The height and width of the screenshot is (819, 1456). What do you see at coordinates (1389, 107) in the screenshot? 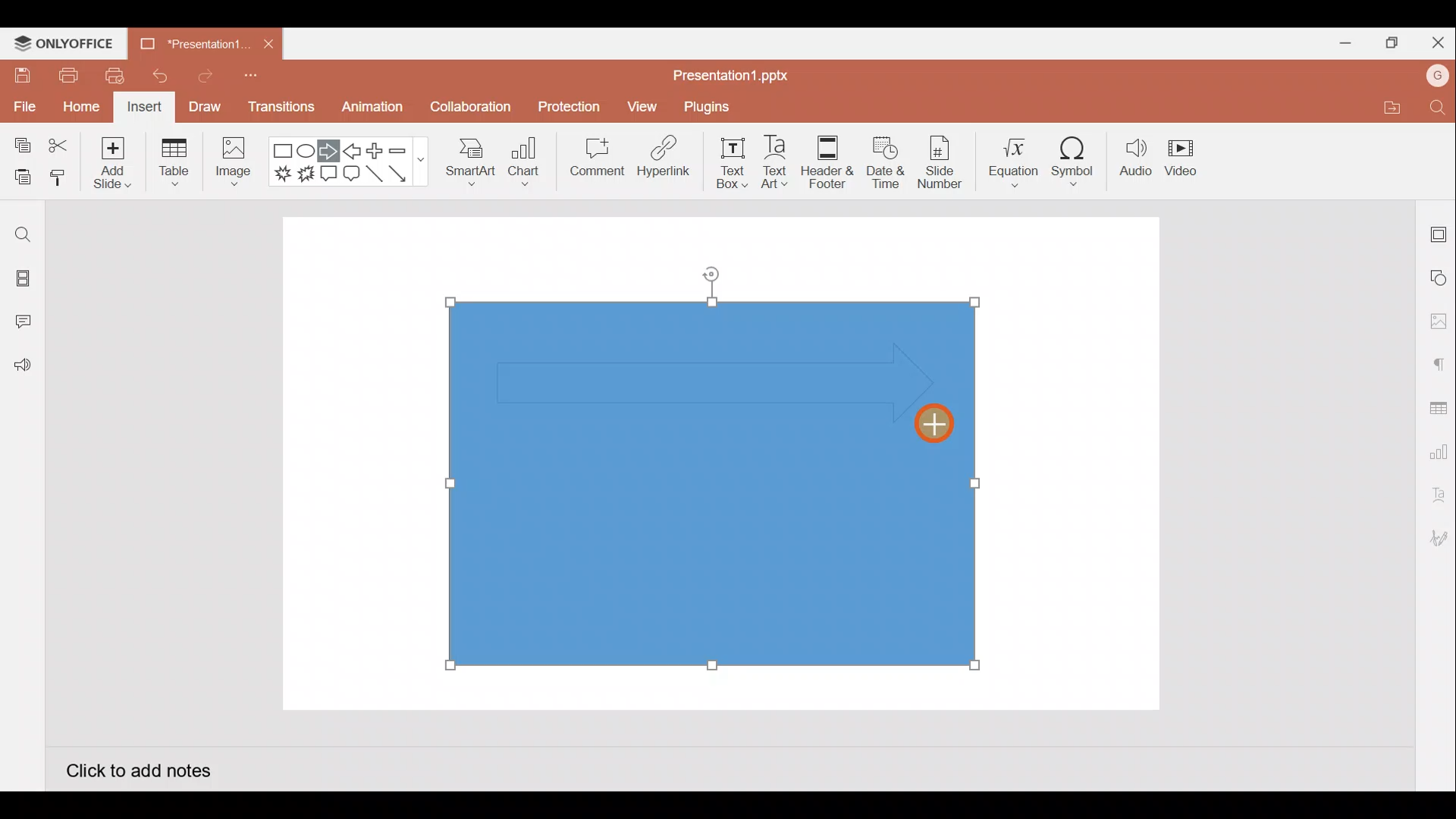
I see `Open file location` at bounding box center [1389, 107].